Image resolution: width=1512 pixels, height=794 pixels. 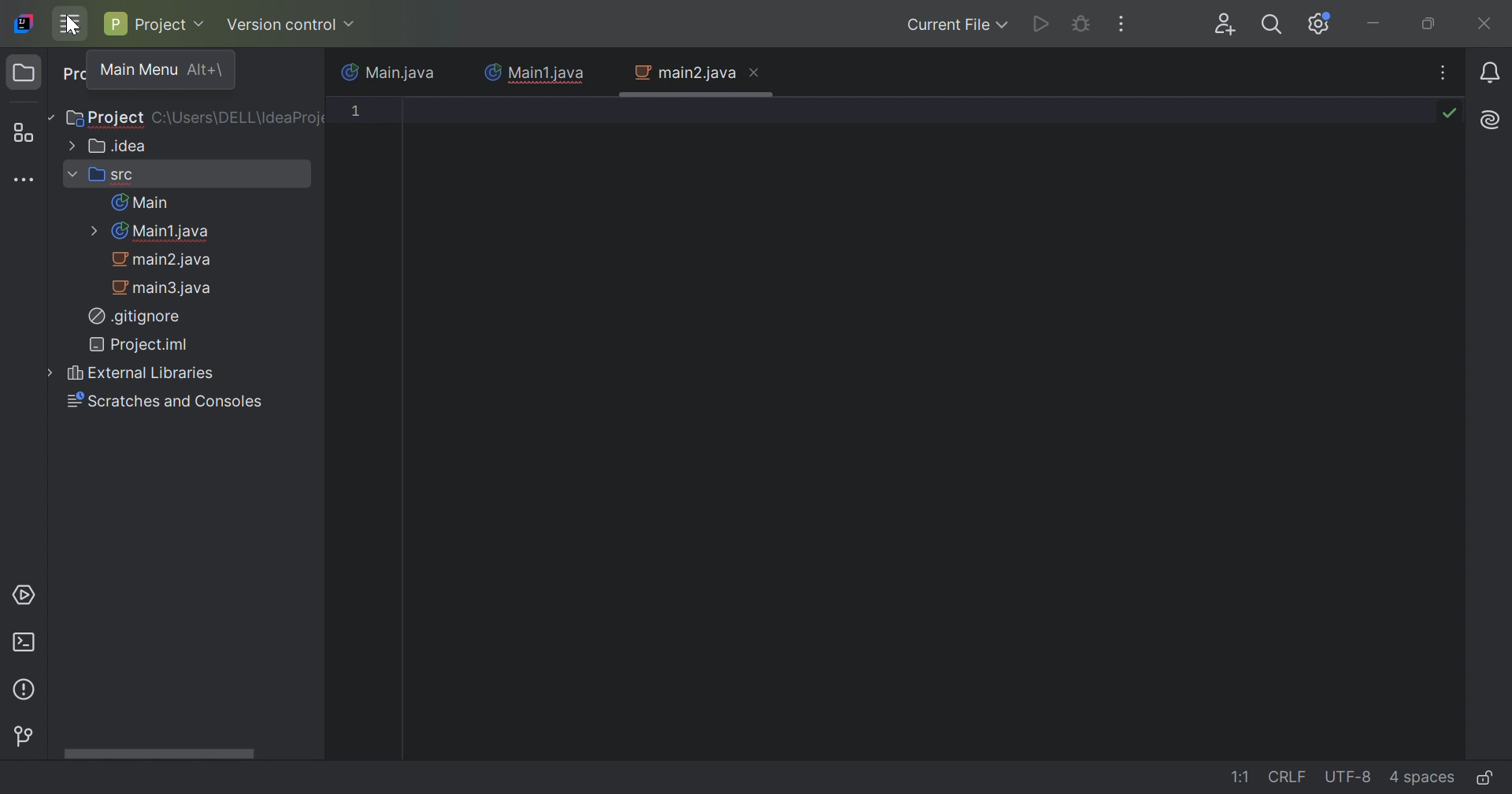 What do you see at coordinates (161, 288) in the screenshot?
I see `main3.java` at bounding box center [161, 288].